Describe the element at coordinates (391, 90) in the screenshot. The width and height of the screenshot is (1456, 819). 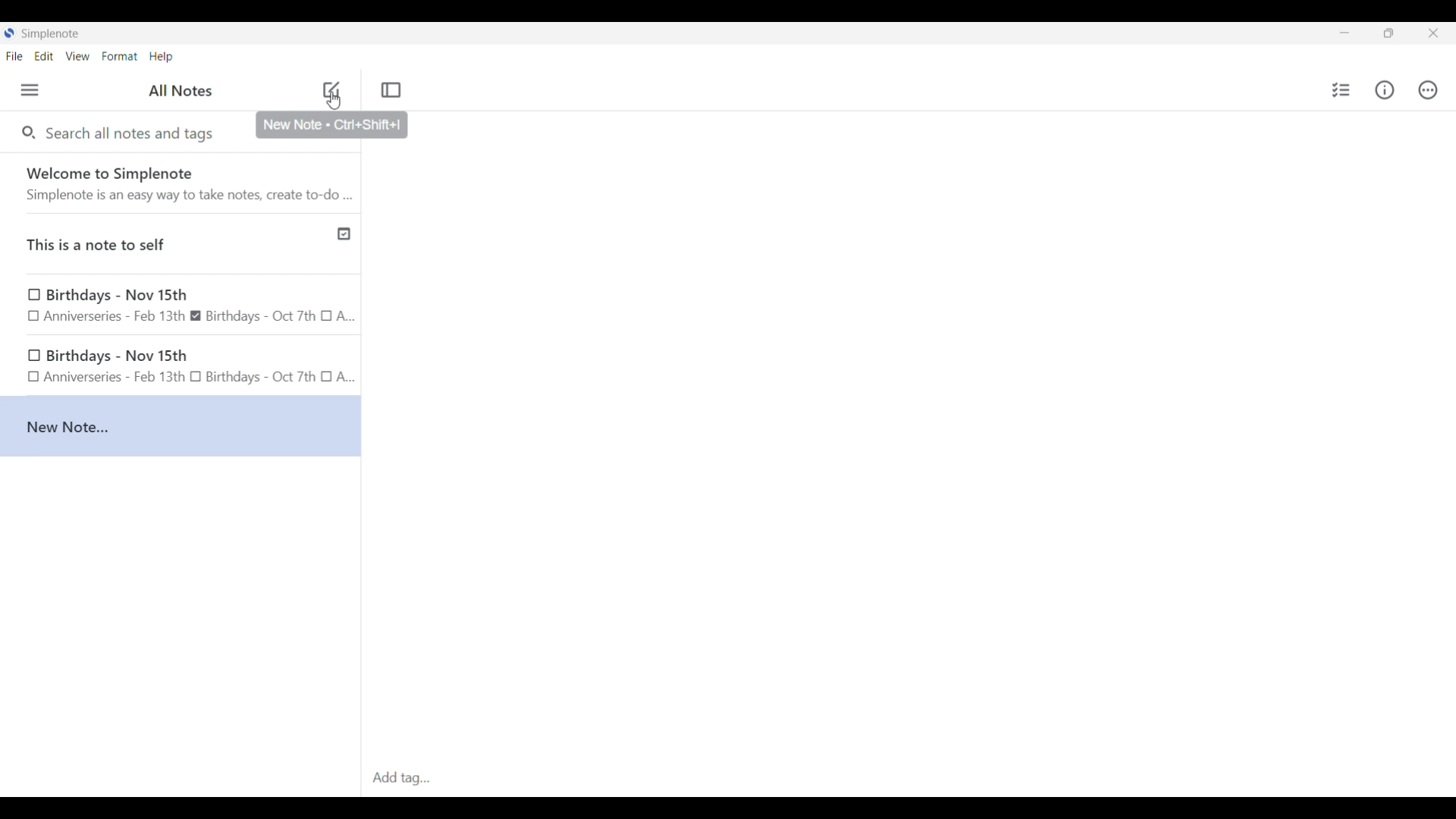
I see `Toggle focus mode` at that location.